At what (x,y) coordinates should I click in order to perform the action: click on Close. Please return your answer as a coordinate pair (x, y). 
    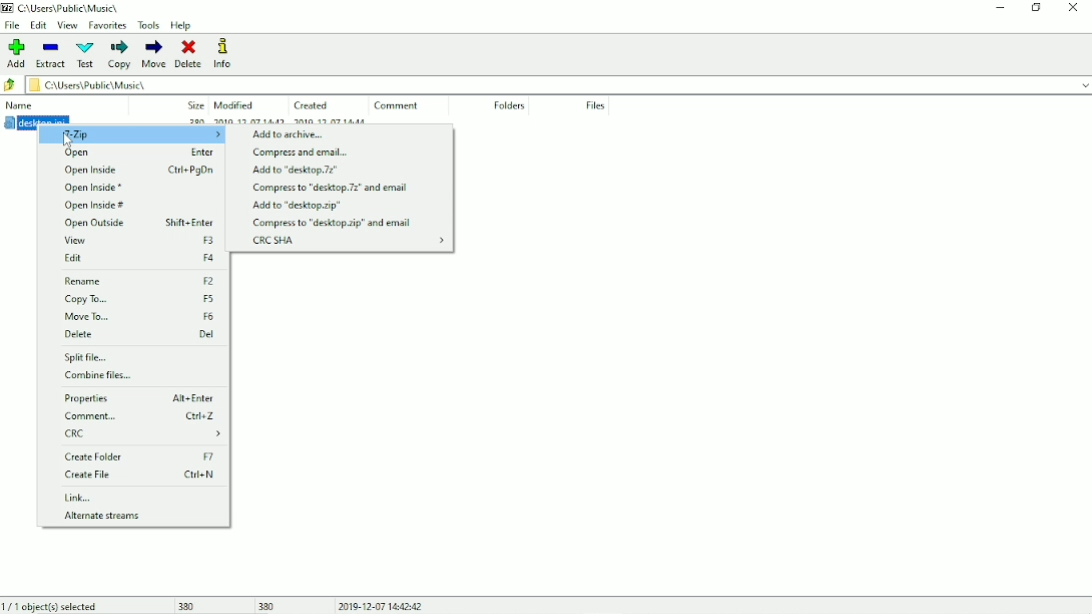
    Looking at the image, I should click on (1073, 8).